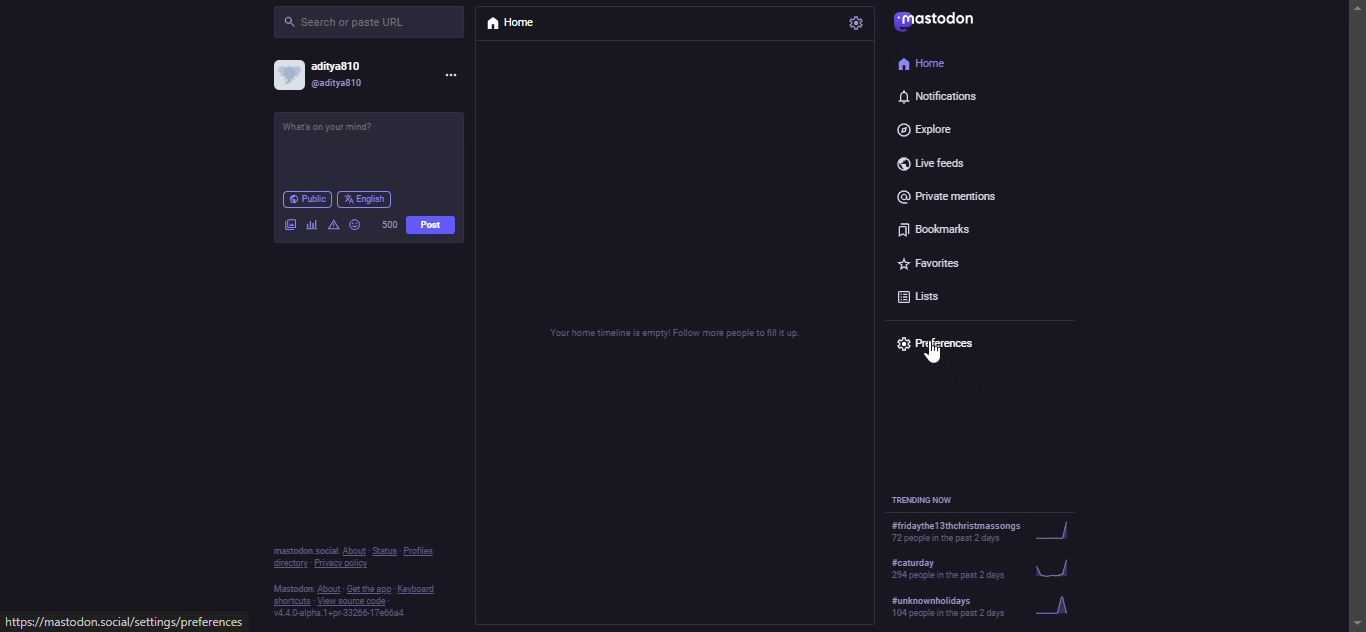  What do you see at coordinates (939, 98) in the screenshot?
I see `notifications` at bounding box center [939, 98].